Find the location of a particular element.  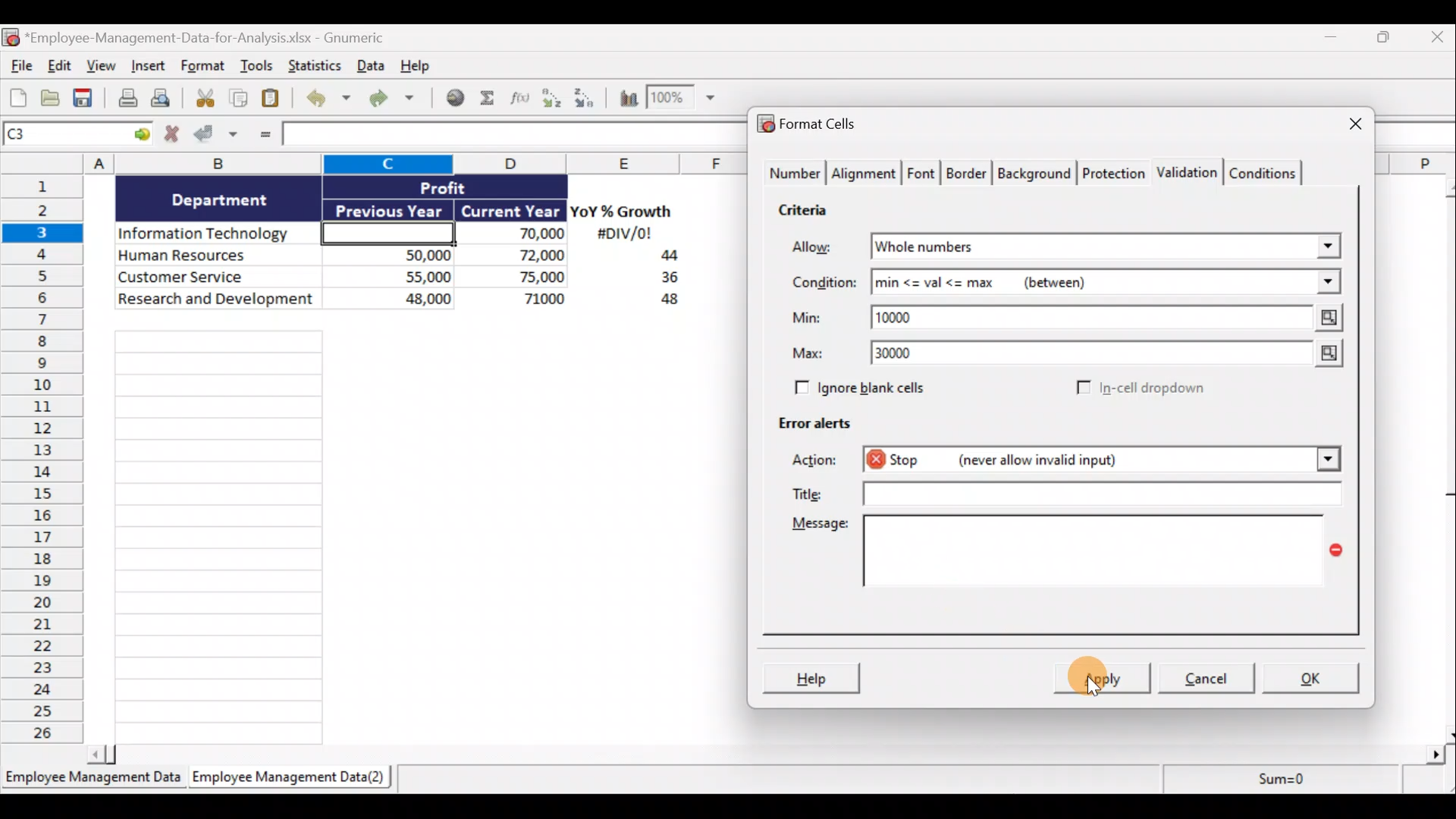

Cursor is located at coordinates (1103, 674).